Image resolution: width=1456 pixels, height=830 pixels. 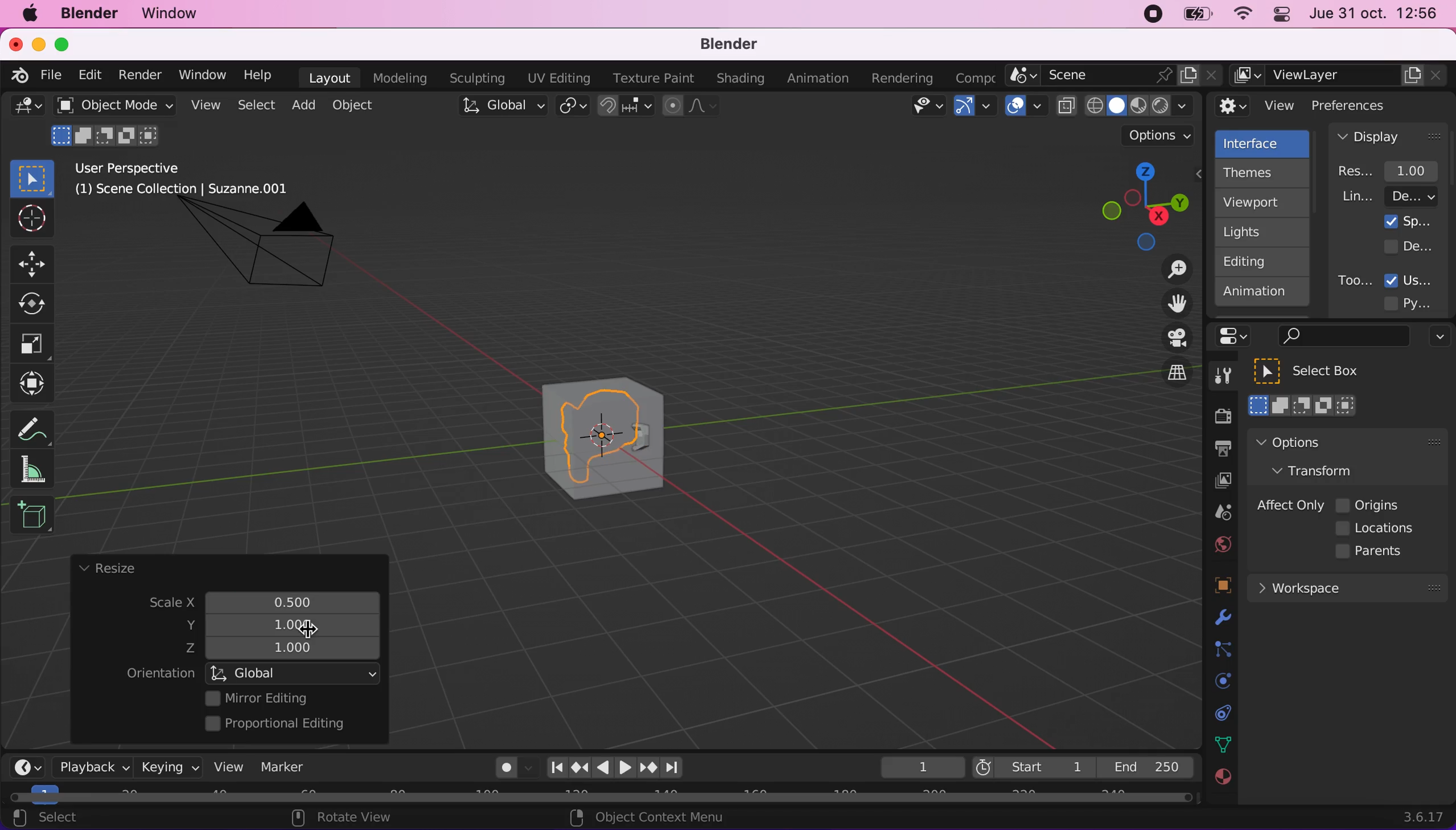 I want to click on , so click(x=37, y=262).